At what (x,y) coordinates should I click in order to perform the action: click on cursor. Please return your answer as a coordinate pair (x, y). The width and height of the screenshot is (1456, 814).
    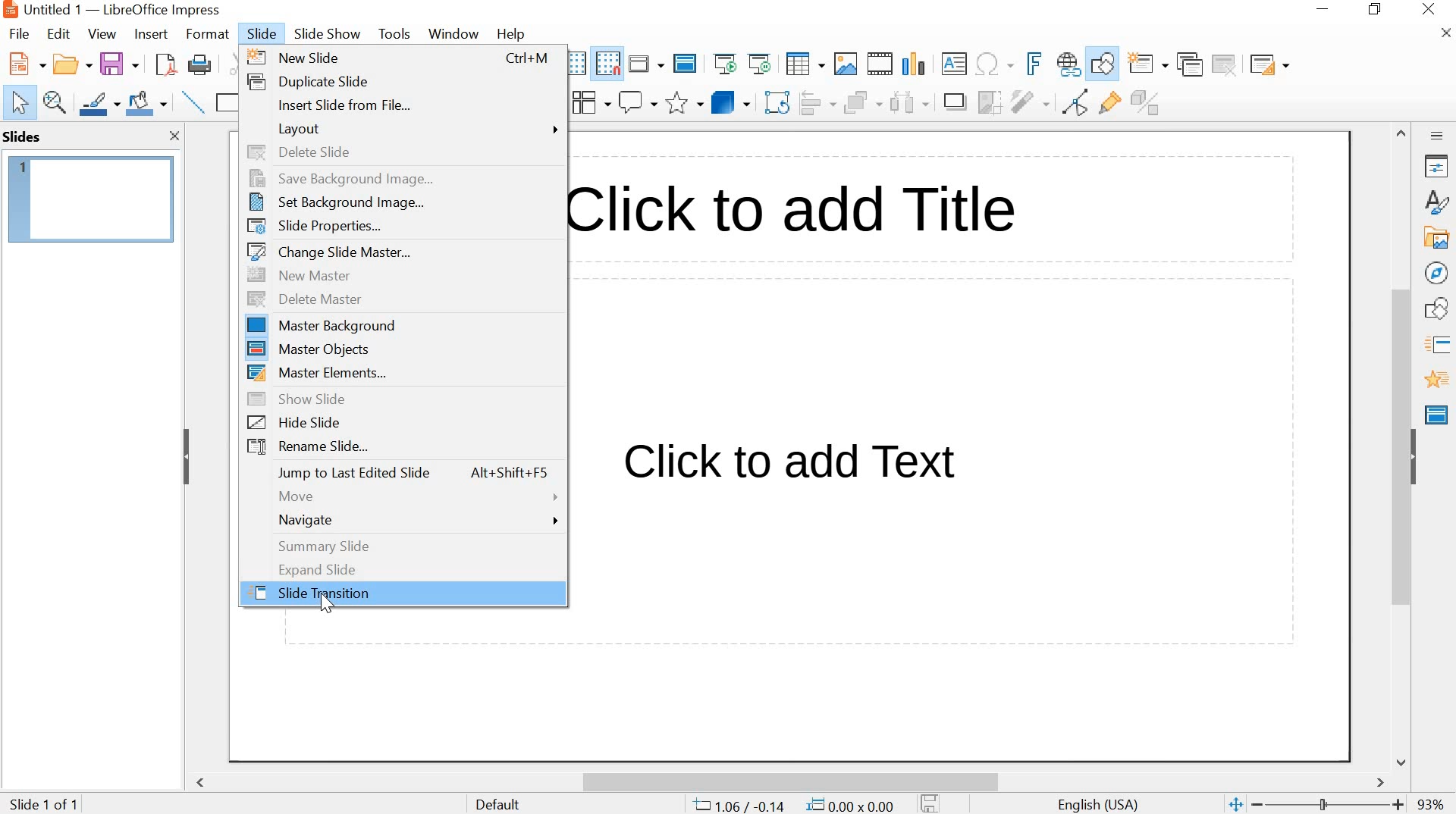
    Looking at the image, I should click on (325, 610).